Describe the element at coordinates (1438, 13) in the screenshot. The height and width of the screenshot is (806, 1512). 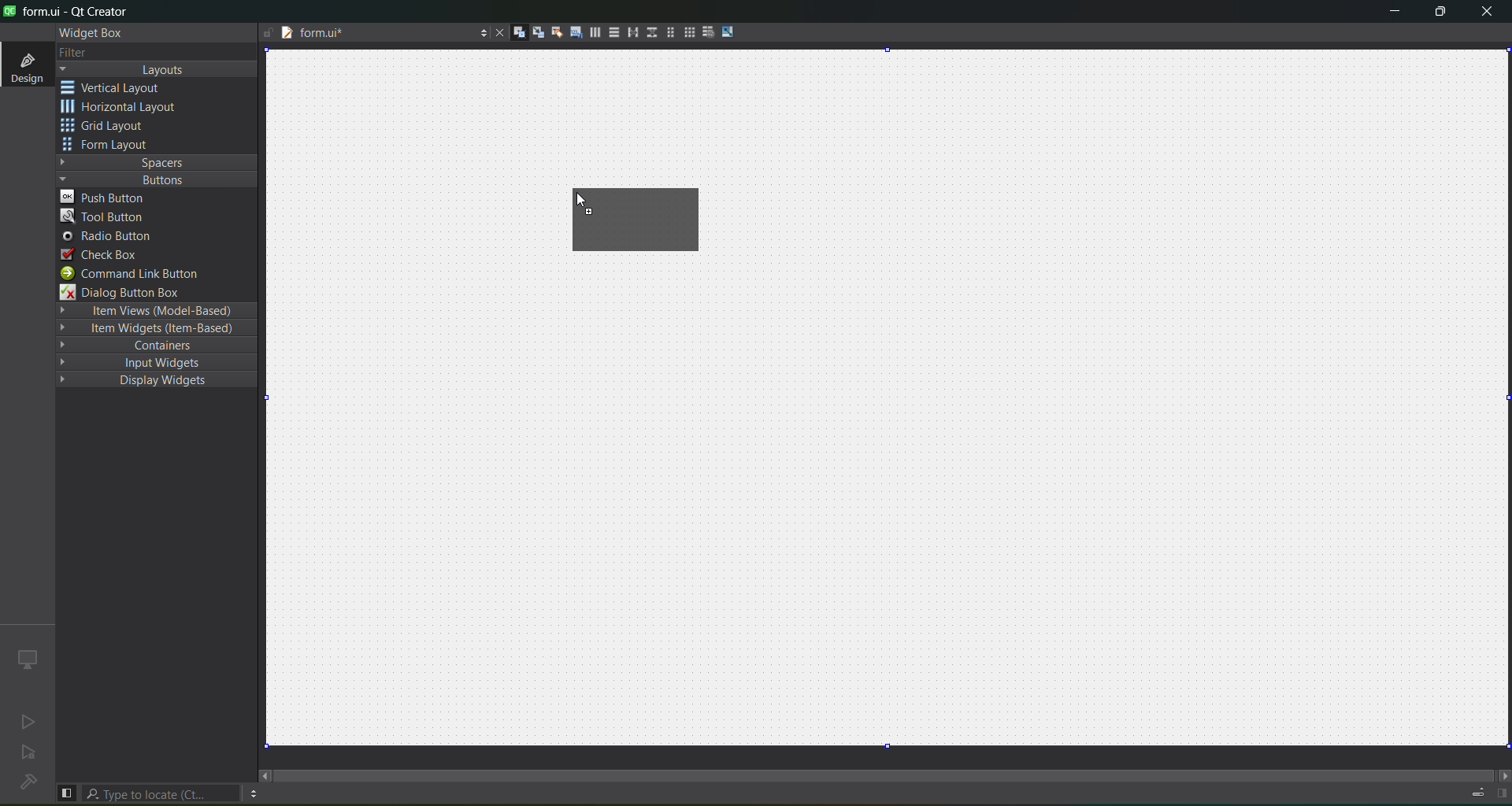
I see `maximize` at that location.